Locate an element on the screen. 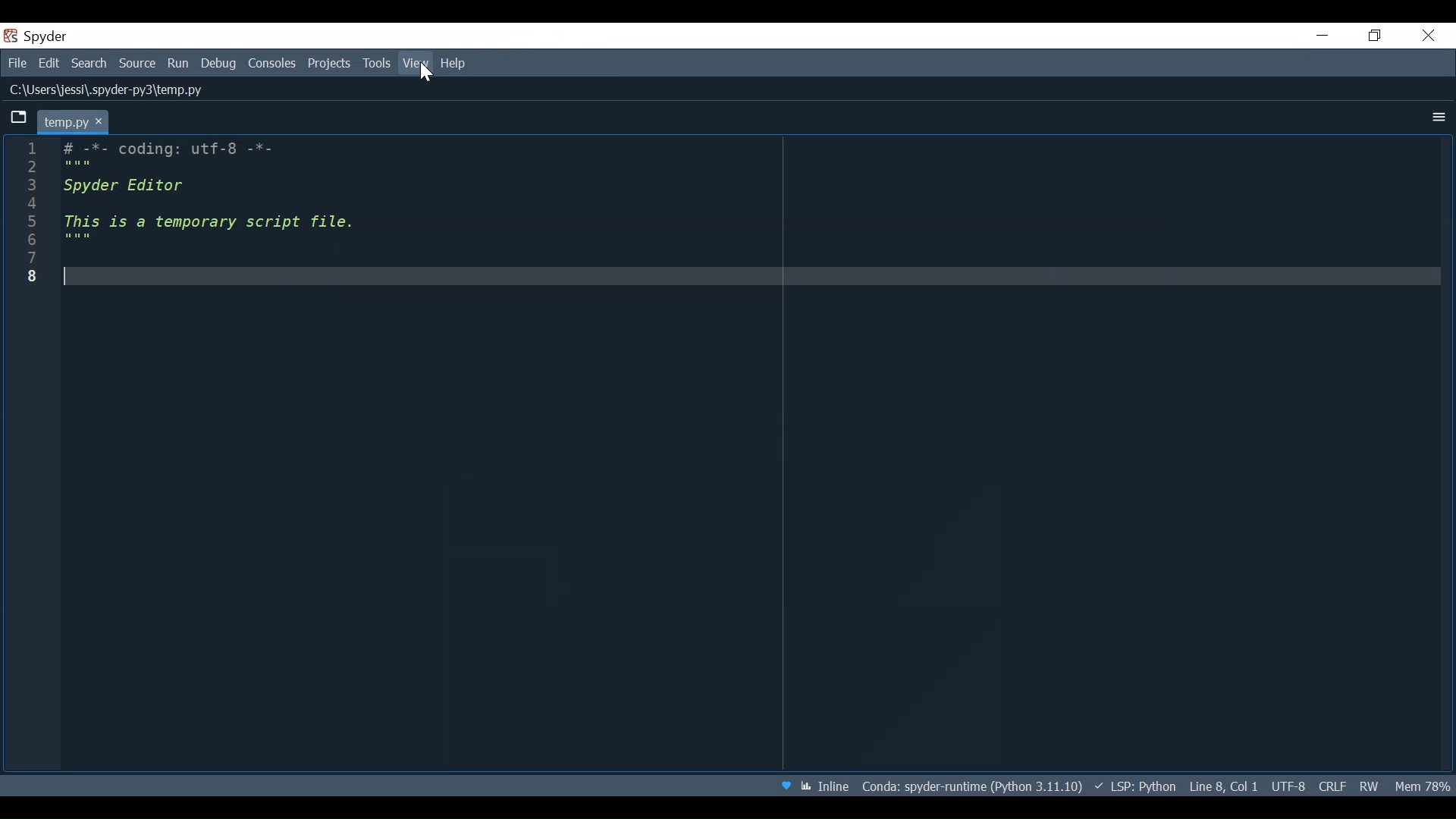 This screenshot has width=1456, height=819. Edit is located at coordinates (51, 64).